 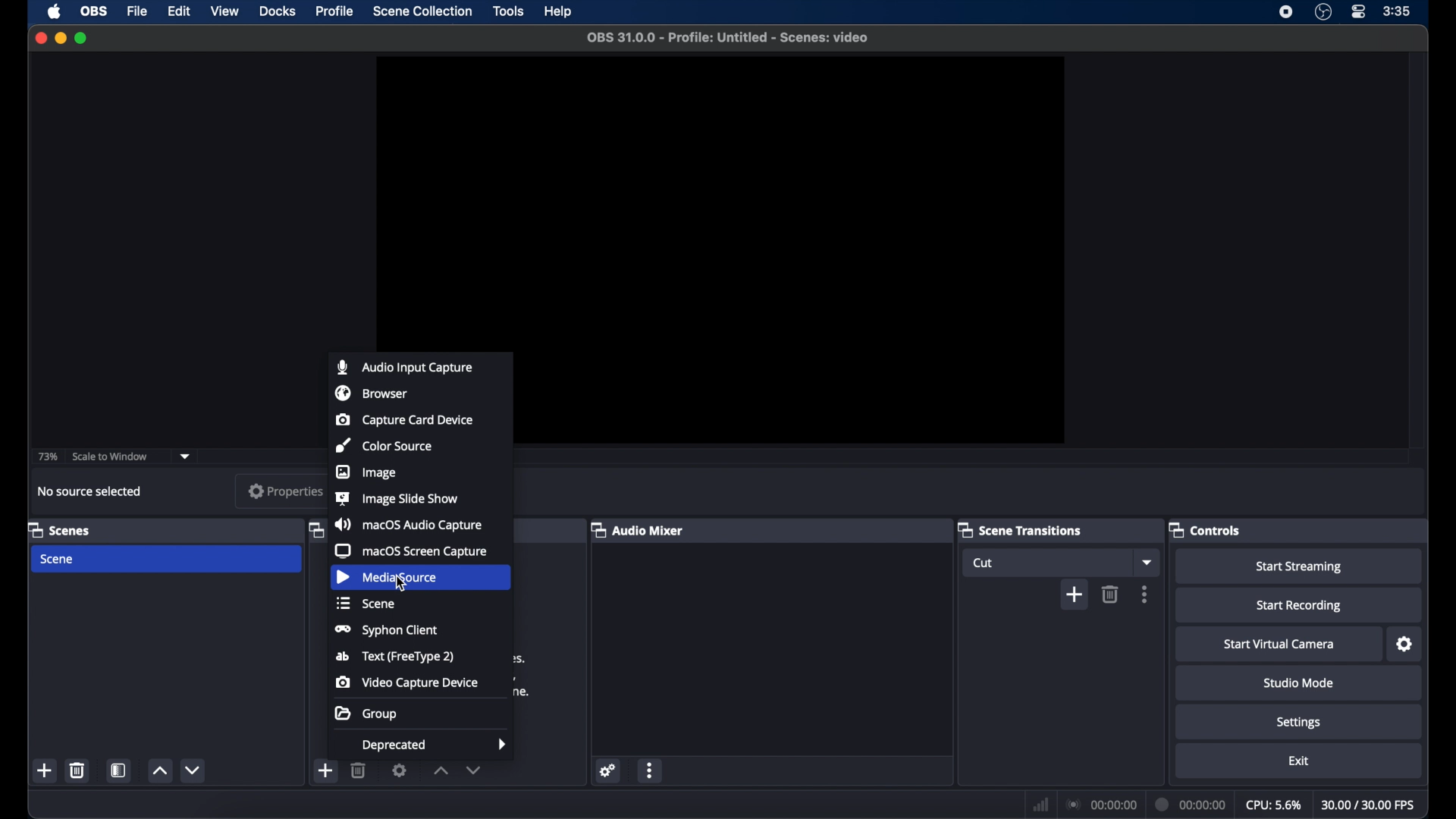 I want to click on docks, so click(x=278, y=11).